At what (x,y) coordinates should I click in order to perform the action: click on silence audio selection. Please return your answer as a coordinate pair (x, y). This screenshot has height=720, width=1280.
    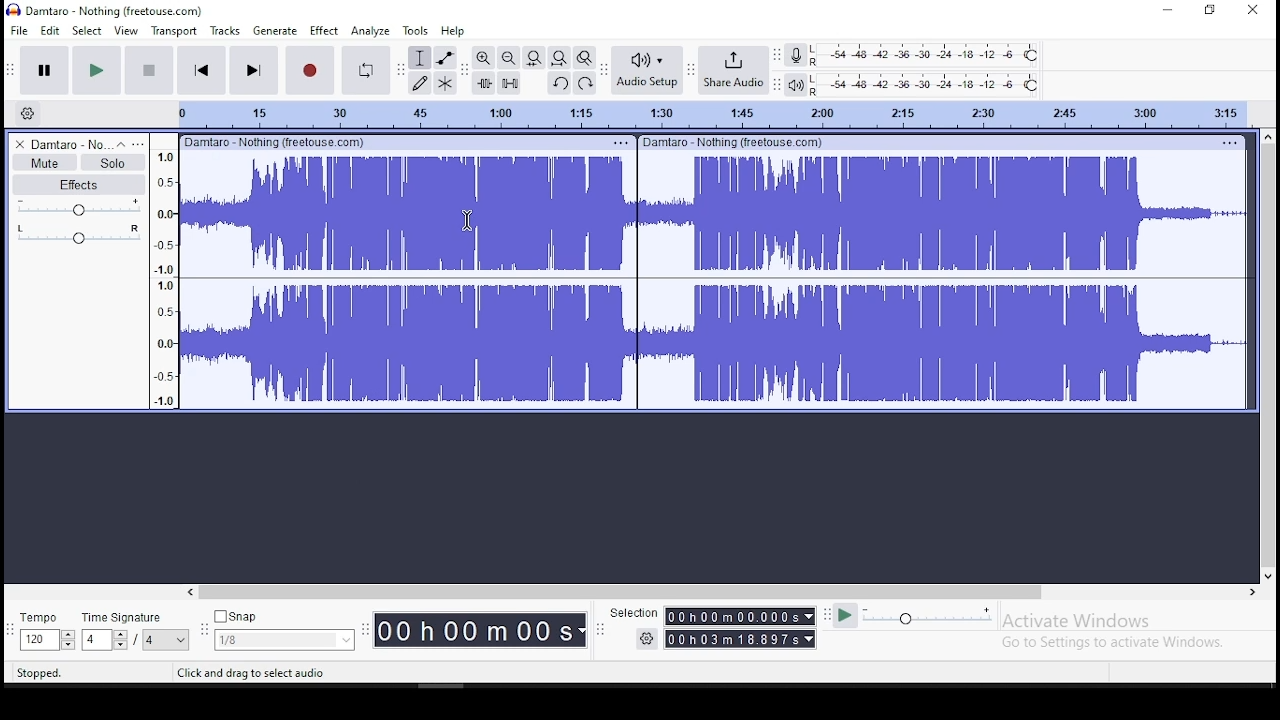
    Looking at the image, I should click on (509, 83).